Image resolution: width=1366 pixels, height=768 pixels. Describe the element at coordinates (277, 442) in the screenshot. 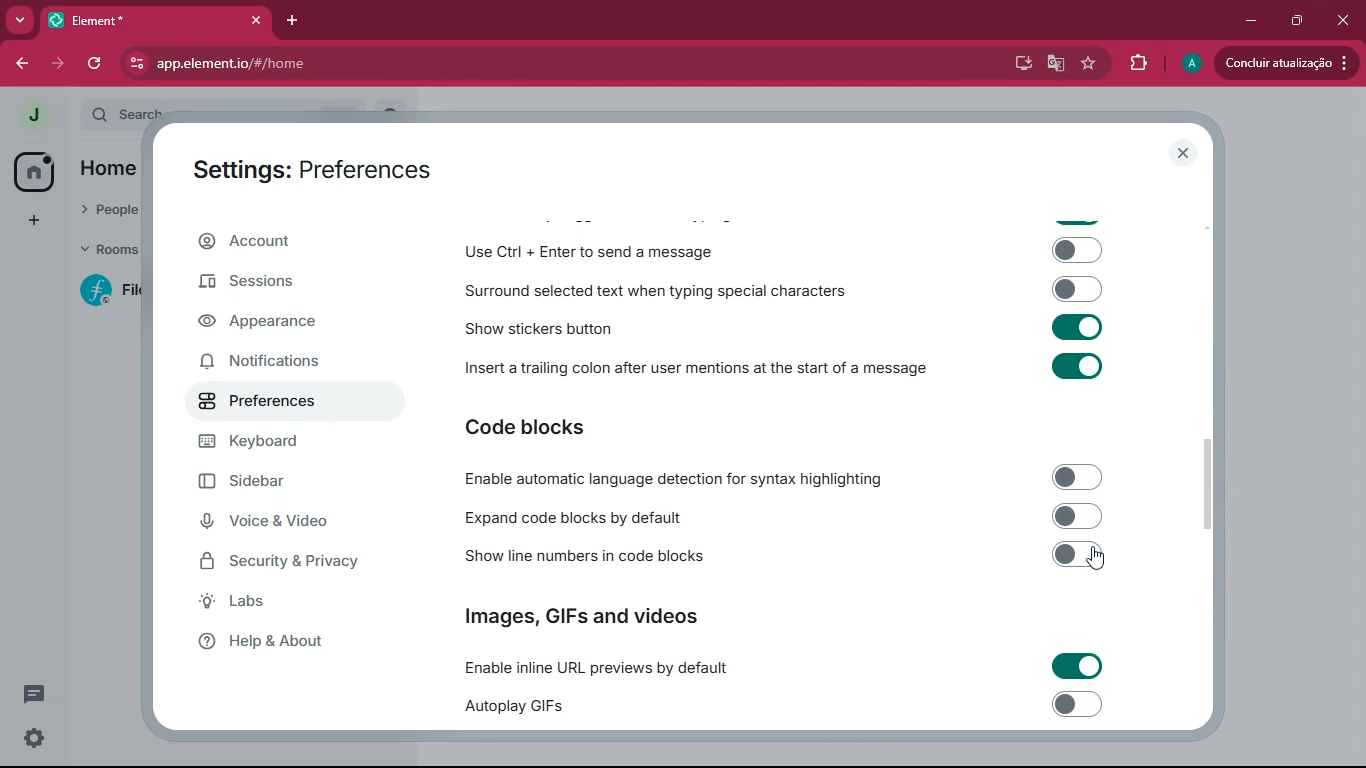

I see `keyboard` at that location.